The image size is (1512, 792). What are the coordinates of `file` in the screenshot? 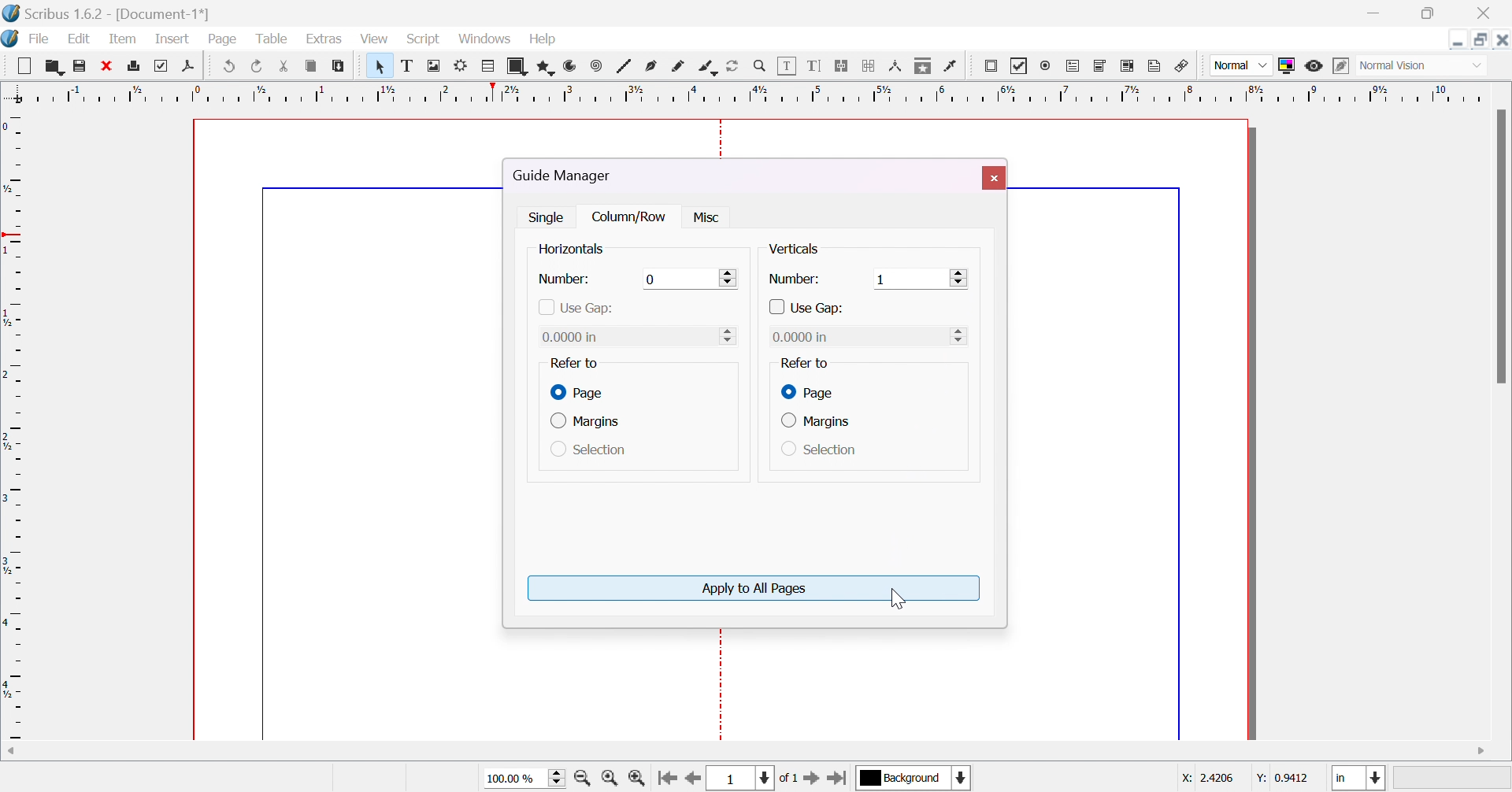 It's located at (41, 39).